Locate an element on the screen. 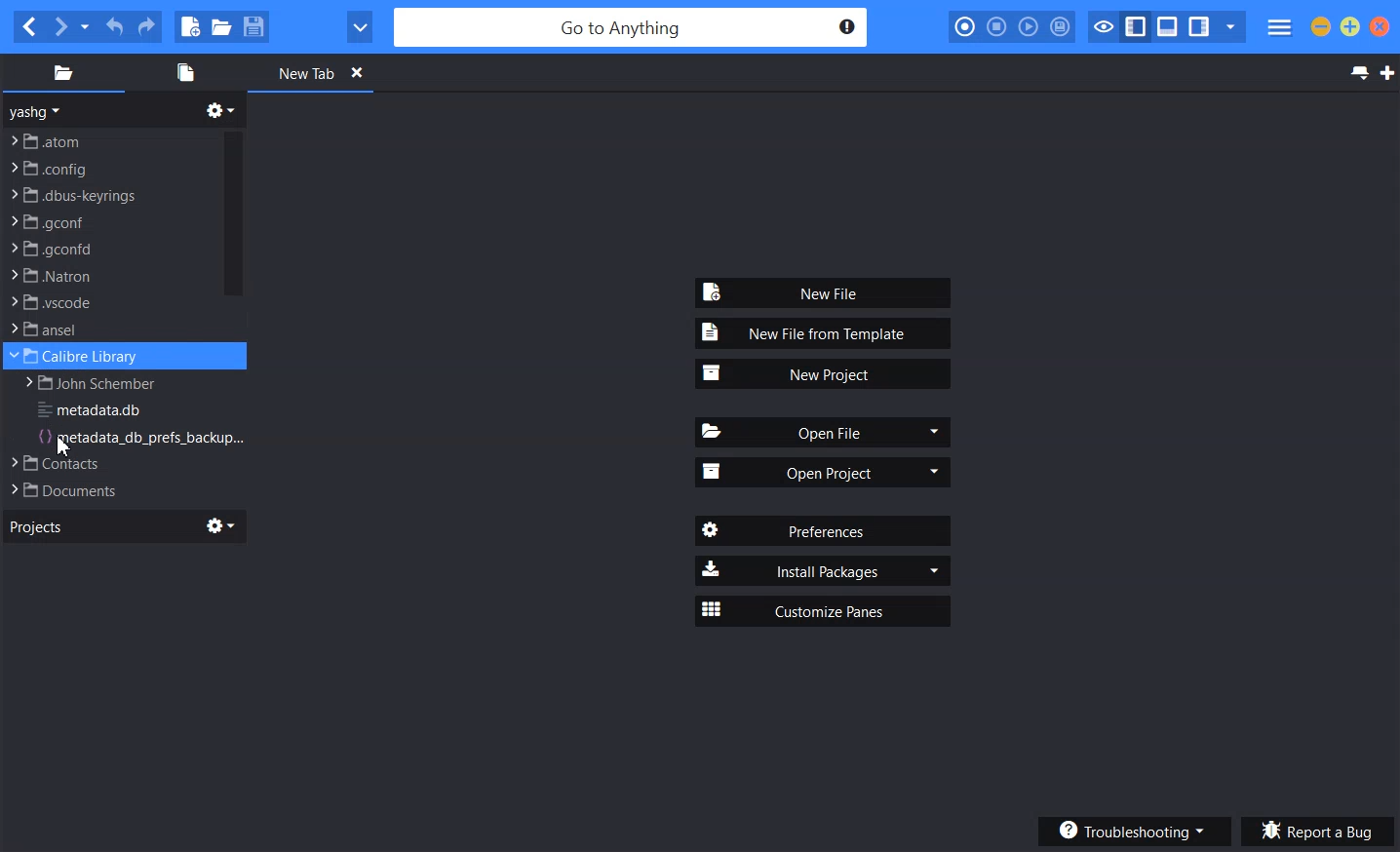 The image size is (1400, 852). yashg is located at coordinates (38, 111).